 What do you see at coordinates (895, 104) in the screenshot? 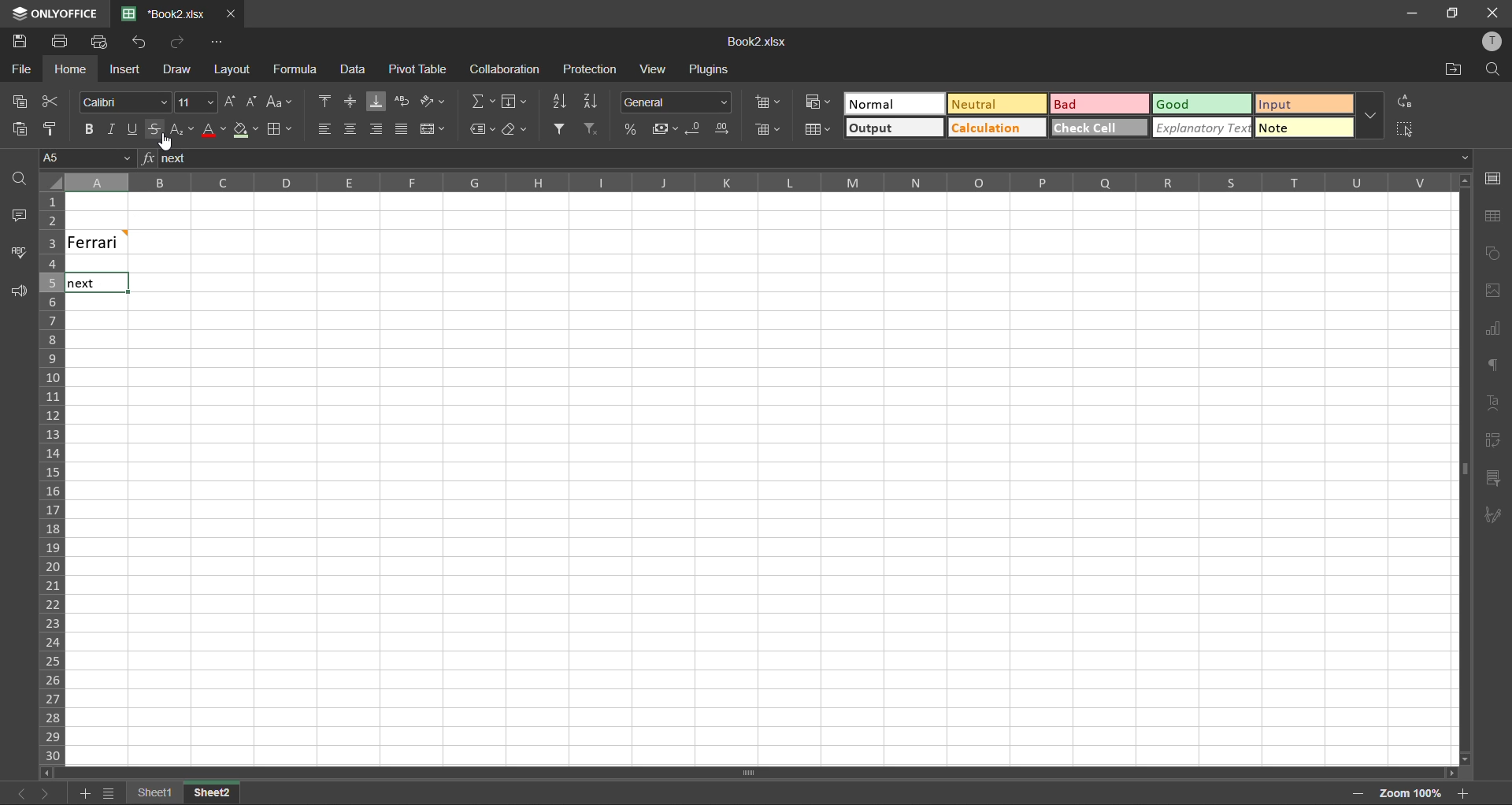
I see `normal` at bounding box center [895, 104].